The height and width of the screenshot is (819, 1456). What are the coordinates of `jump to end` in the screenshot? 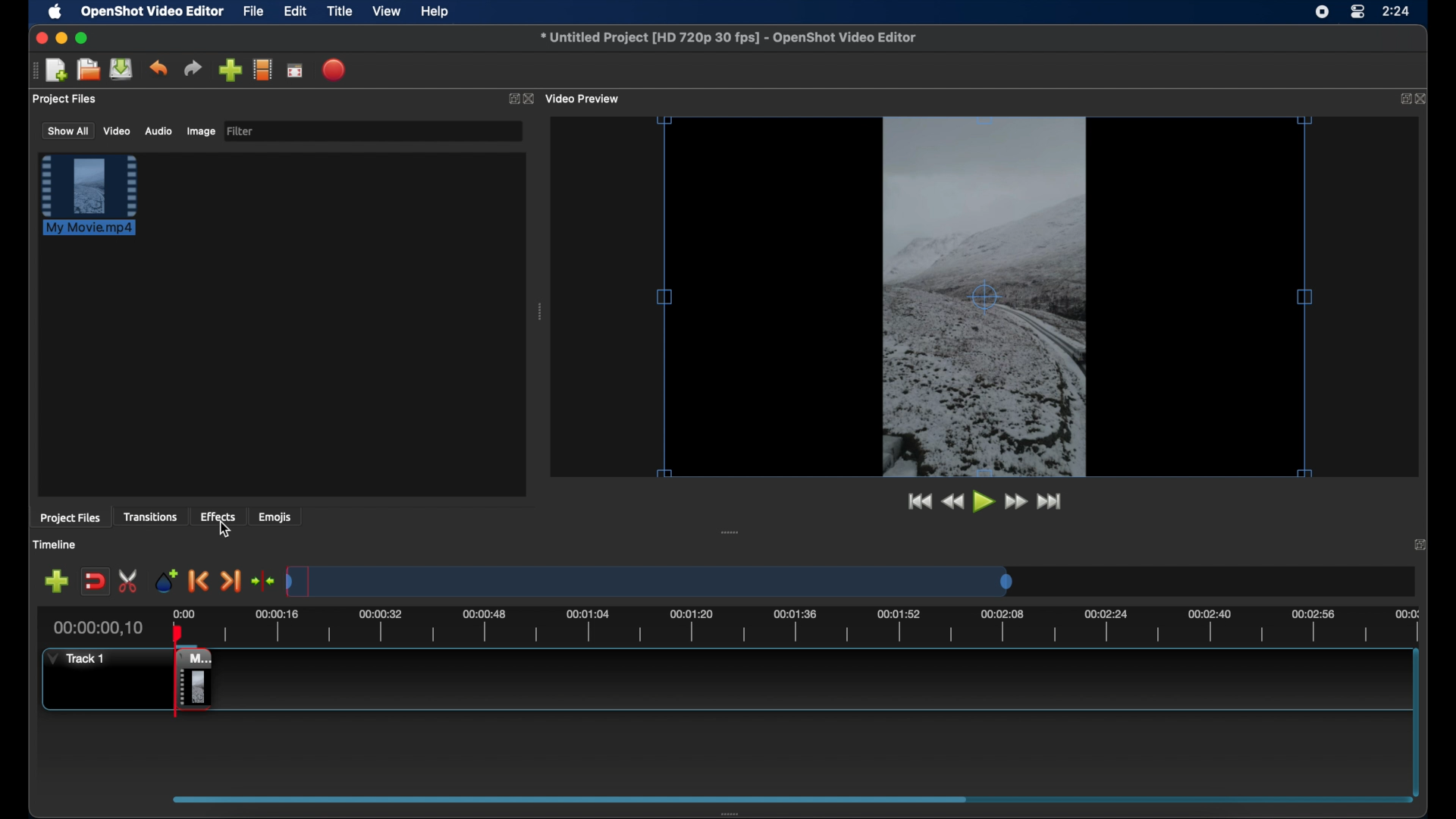 It's located at (1050, 500).